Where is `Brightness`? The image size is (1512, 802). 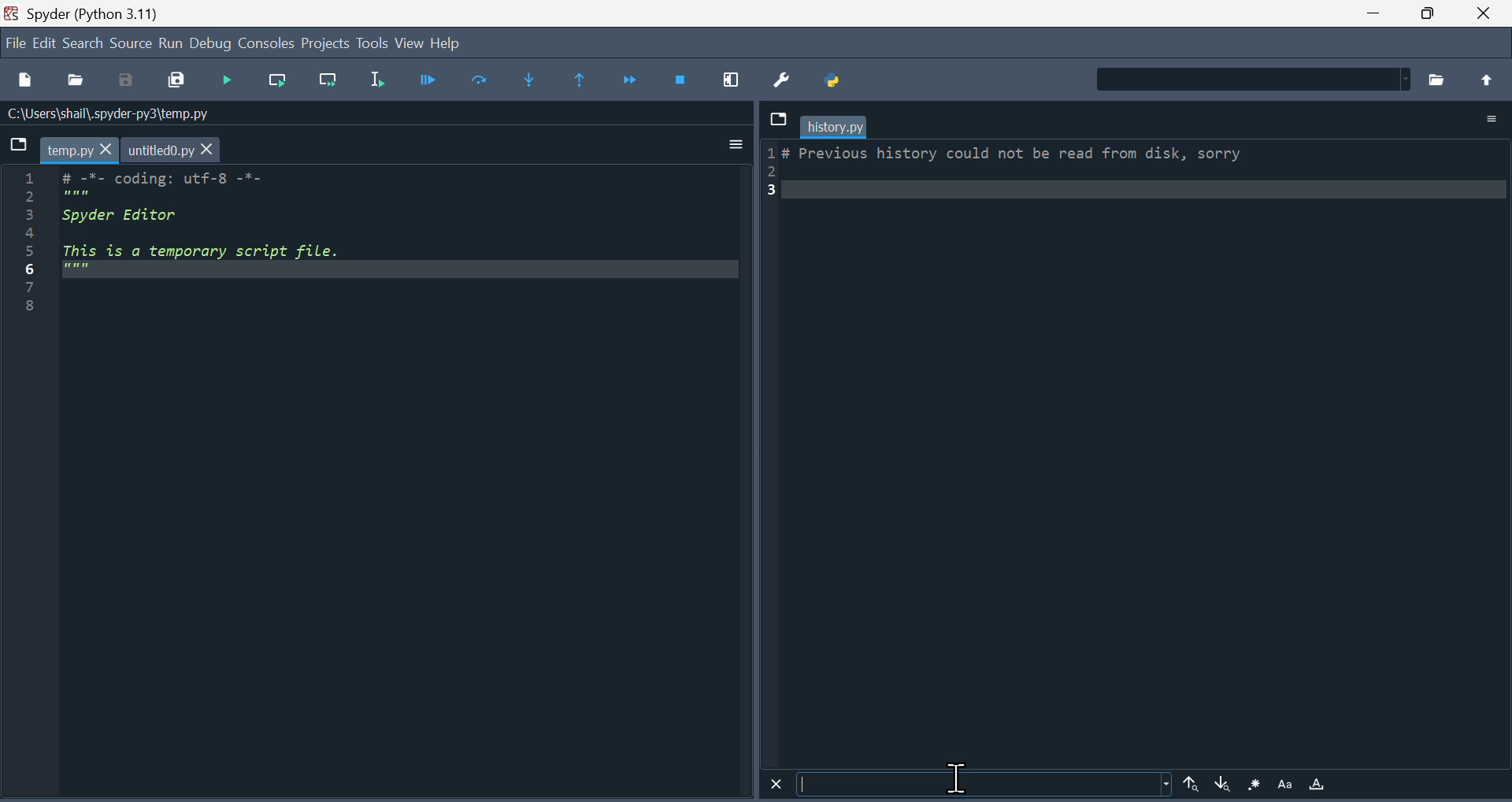
Brightness is located at coordinates (3170, 1970).